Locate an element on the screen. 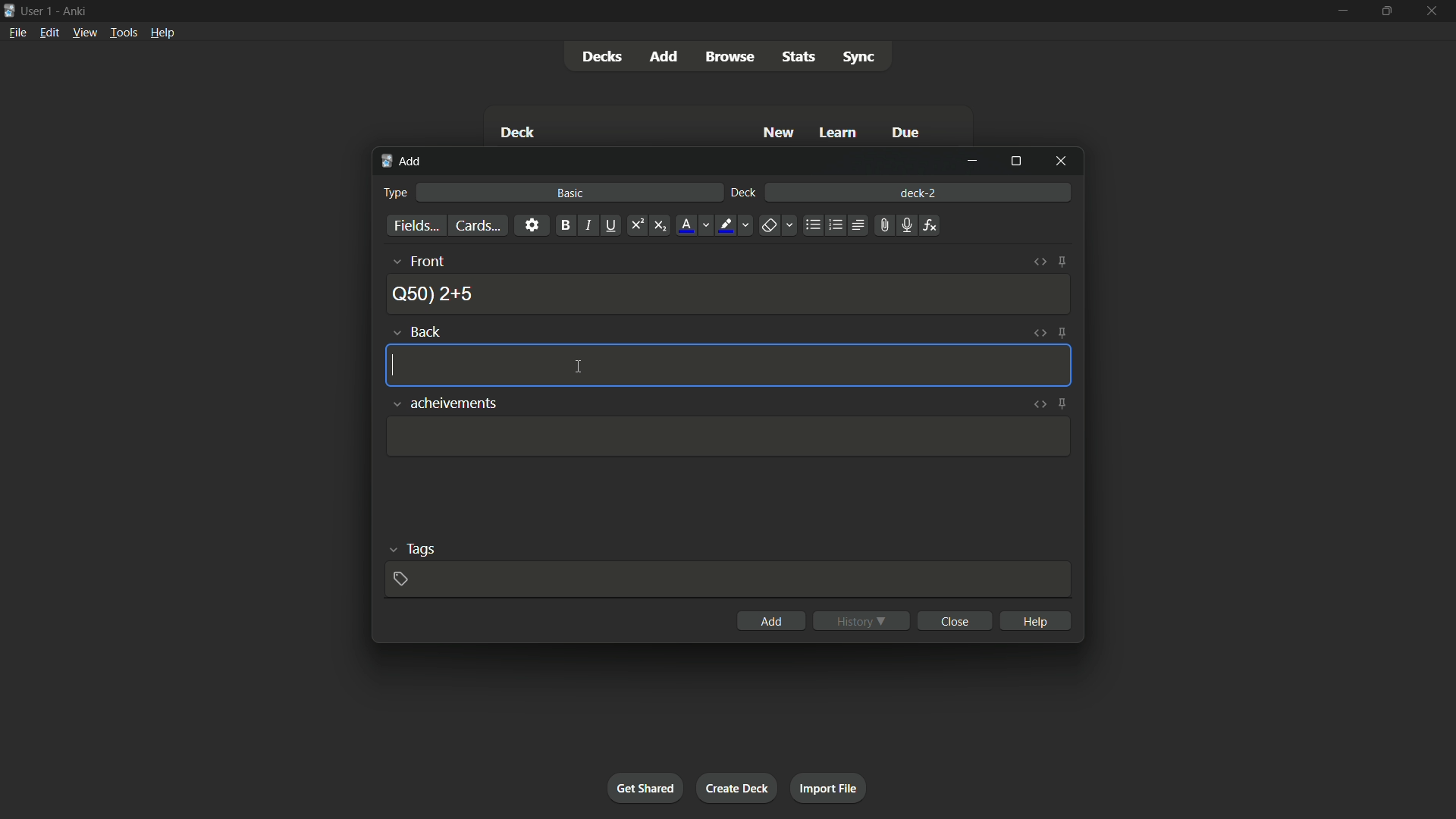 The image size is (1456, 819). stats is located at coordinates (802, 58).